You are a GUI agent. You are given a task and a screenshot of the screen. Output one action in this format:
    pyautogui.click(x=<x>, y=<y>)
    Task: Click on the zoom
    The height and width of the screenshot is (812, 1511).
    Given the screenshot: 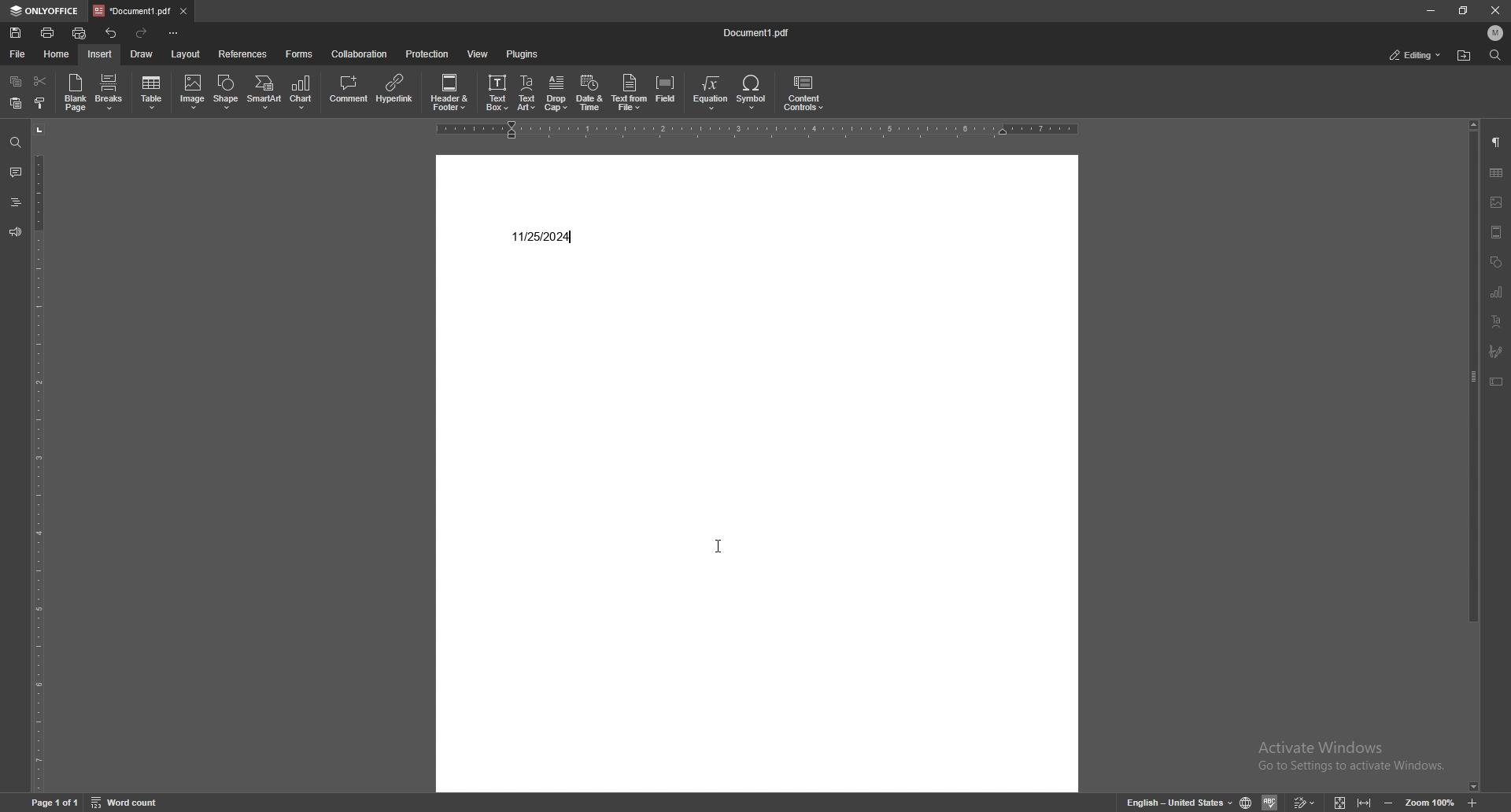 What is the action you would take?
    pyautogui.click(x=1430, y=801)
    